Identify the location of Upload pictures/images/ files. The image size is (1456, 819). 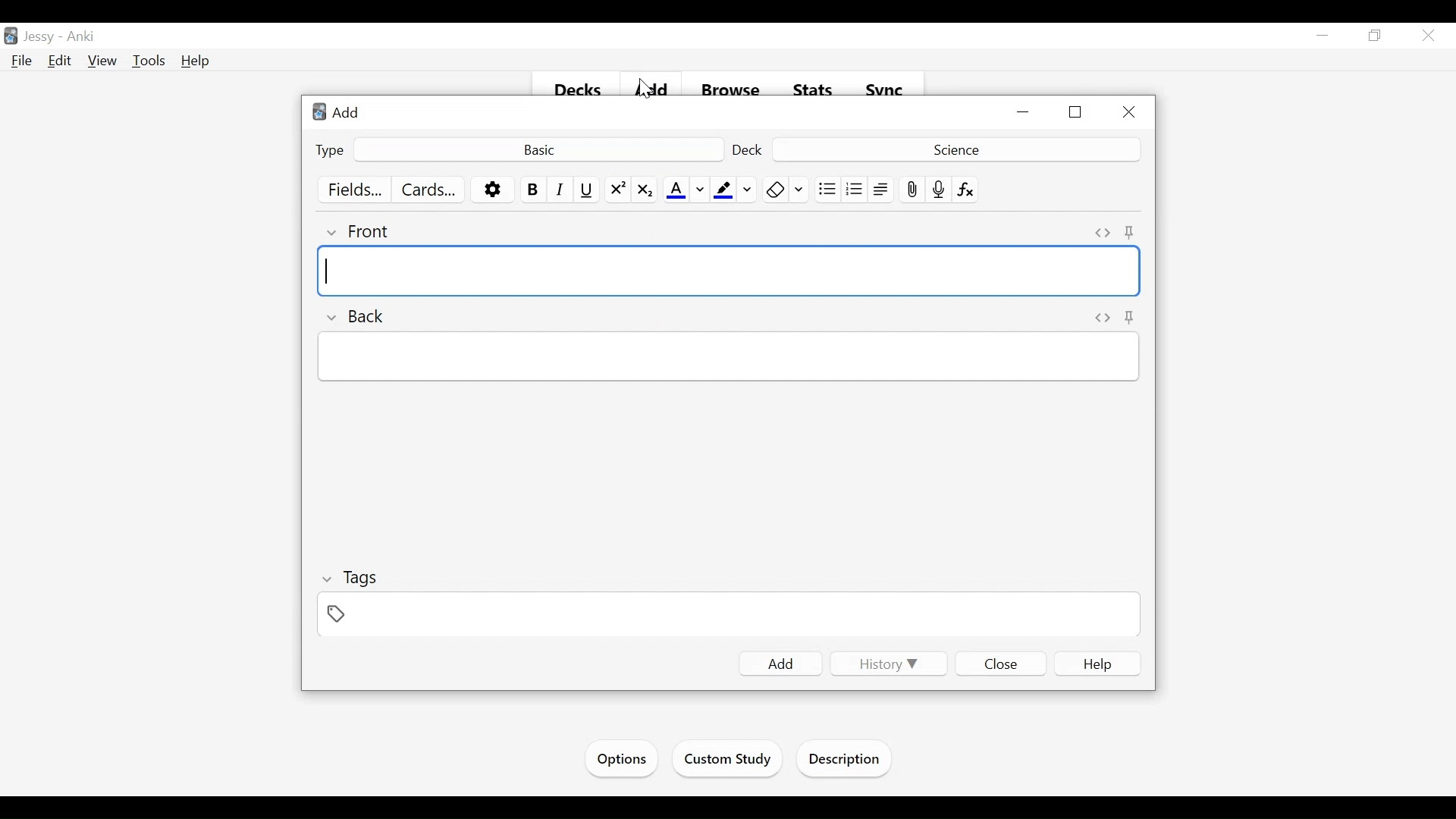
(911, 190).